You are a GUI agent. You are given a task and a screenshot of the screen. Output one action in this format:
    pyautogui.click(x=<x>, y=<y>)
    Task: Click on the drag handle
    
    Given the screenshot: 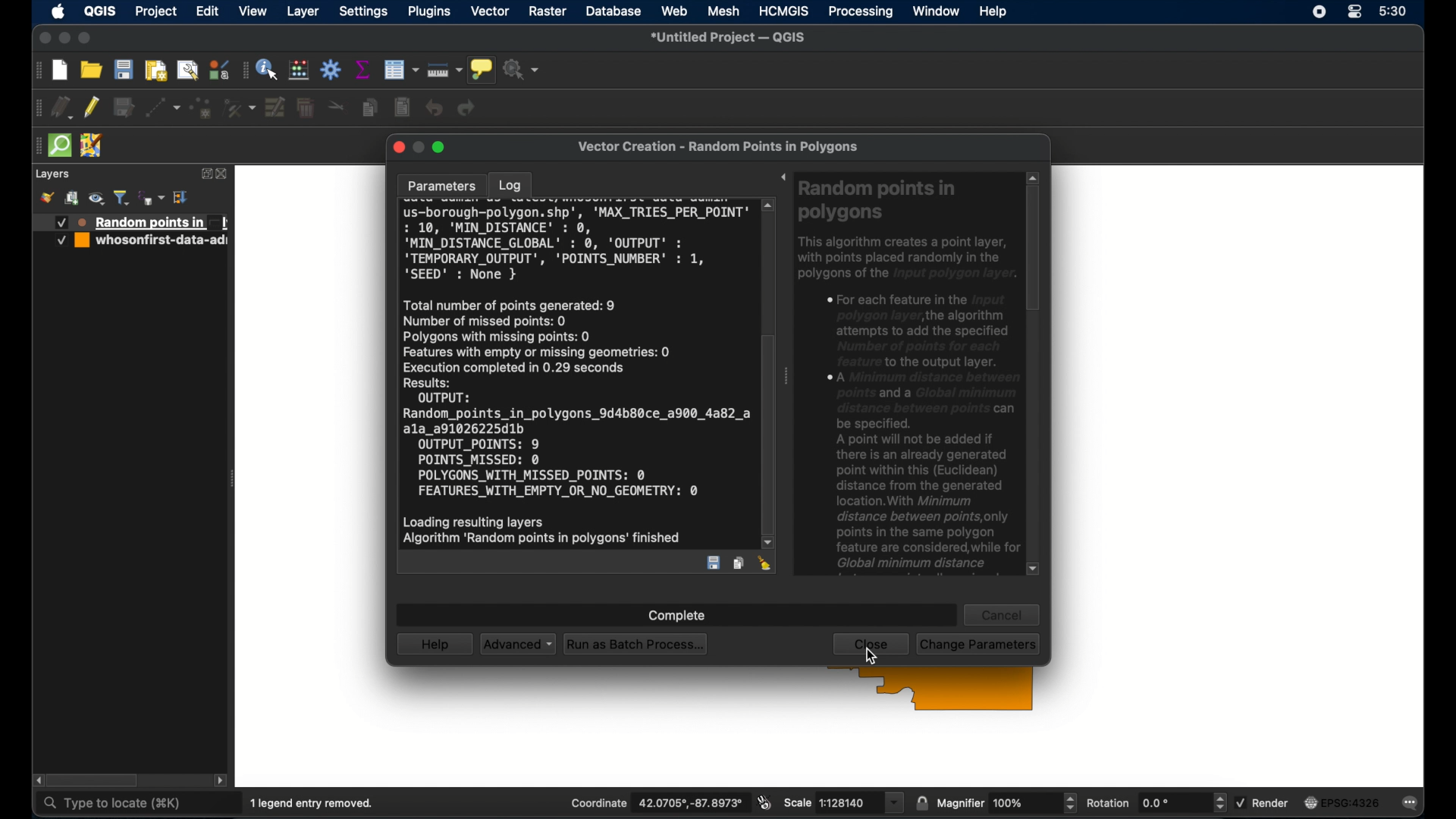 What is the action you would take?
    pyautogui.click(x=37, y=70)
    